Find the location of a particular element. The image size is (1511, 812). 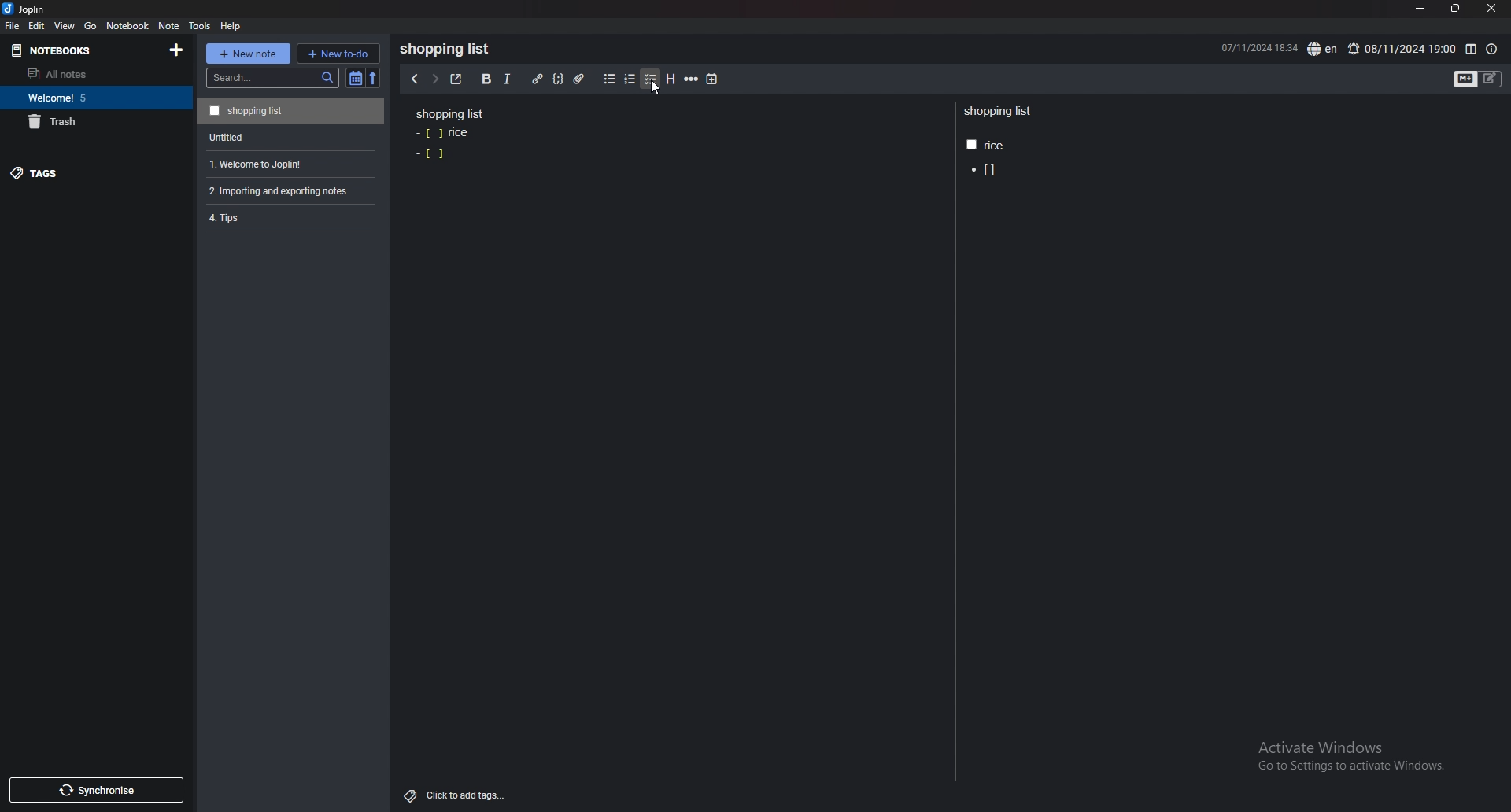

toggle editor layout is located at coordinates (1471, 50).